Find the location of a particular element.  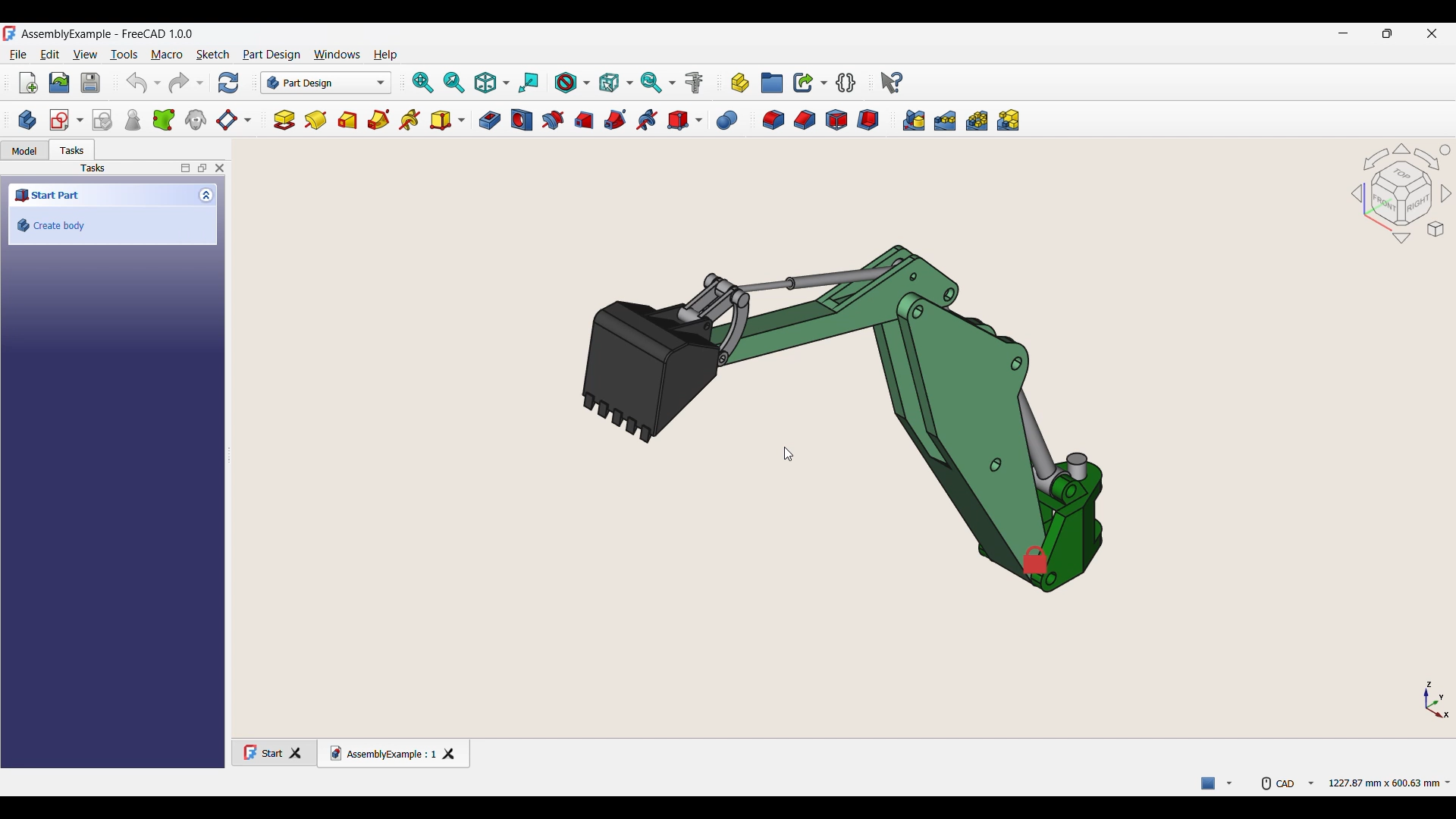

Start Part - section title is located at coordinates (101, 196).